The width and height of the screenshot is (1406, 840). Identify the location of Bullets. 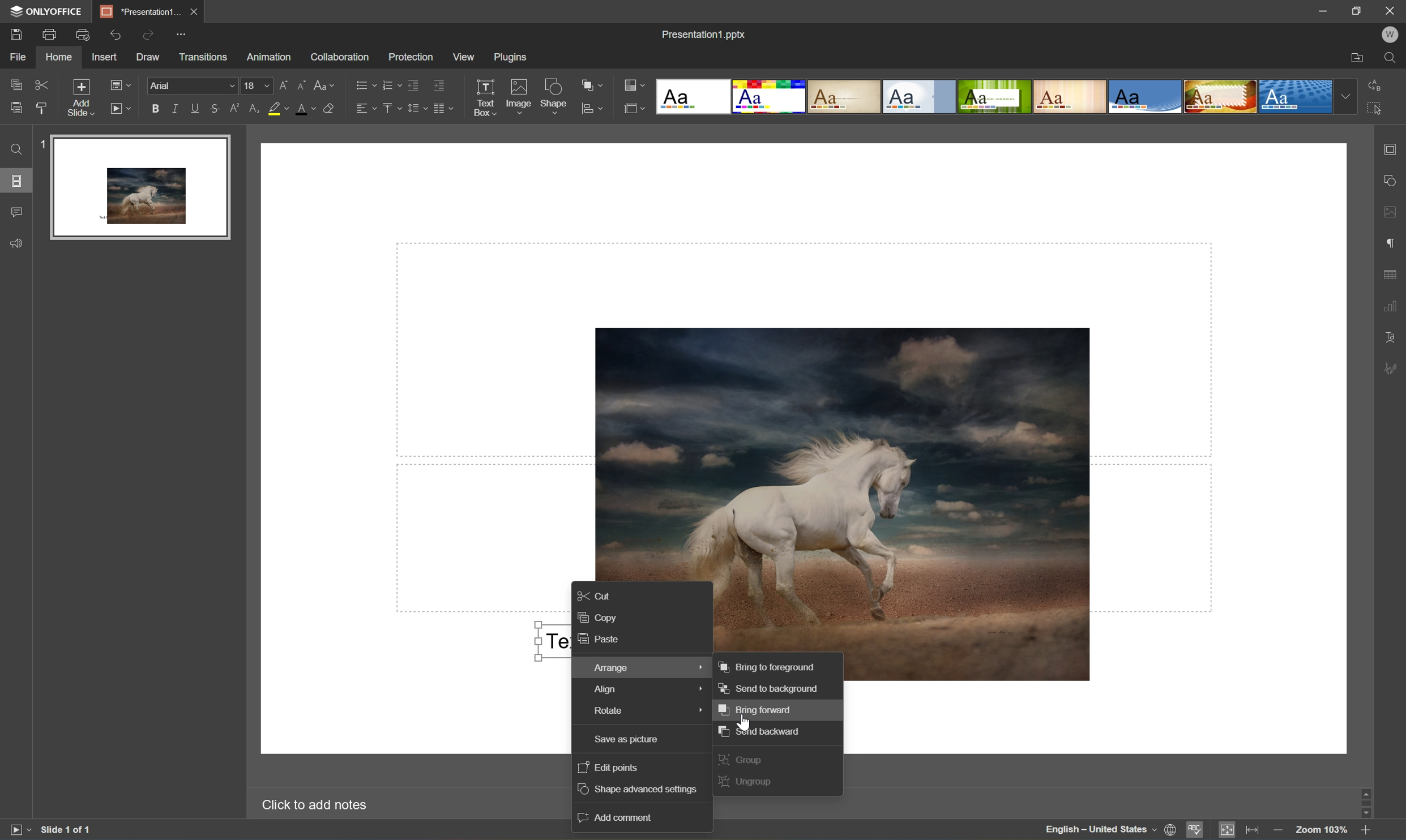
(364, 85).